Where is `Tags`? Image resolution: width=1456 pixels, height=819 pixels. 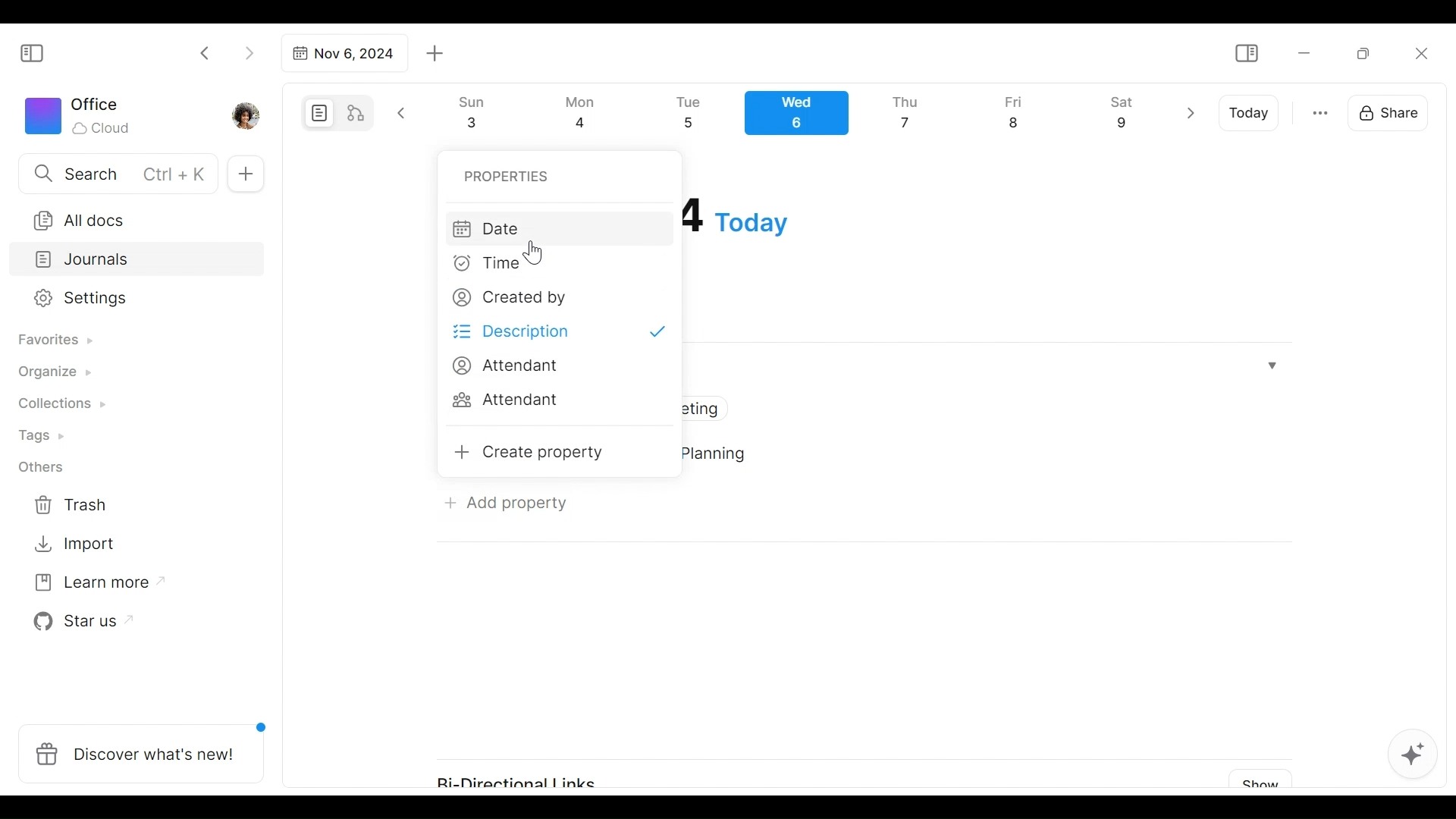
Tags is located at coordinates (43, 438).